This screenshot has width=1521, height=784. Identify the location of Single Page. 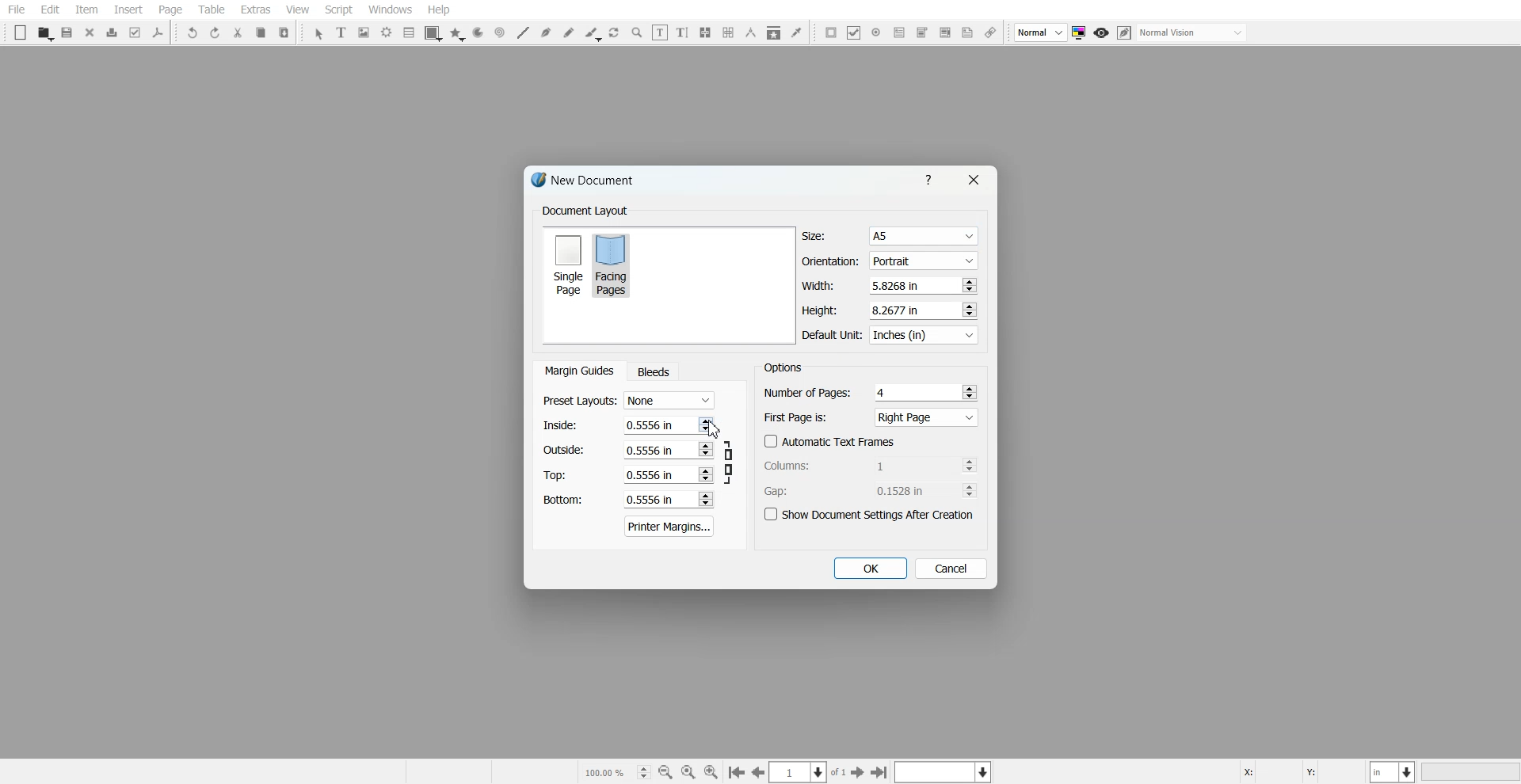
(567, 264).